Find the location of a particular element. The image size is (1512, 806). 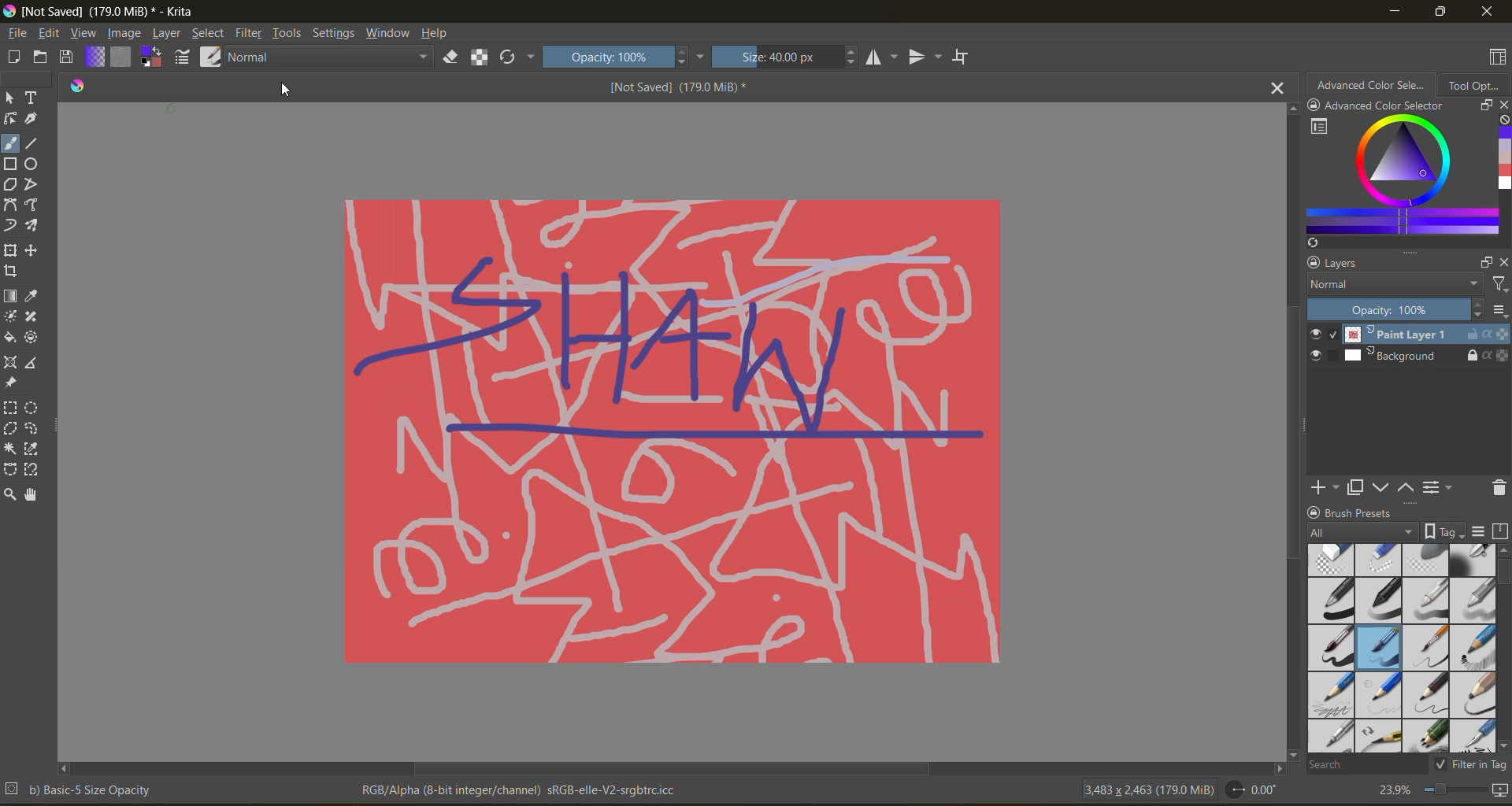

vertical scroll bar is located at coordinates (1503, 576).